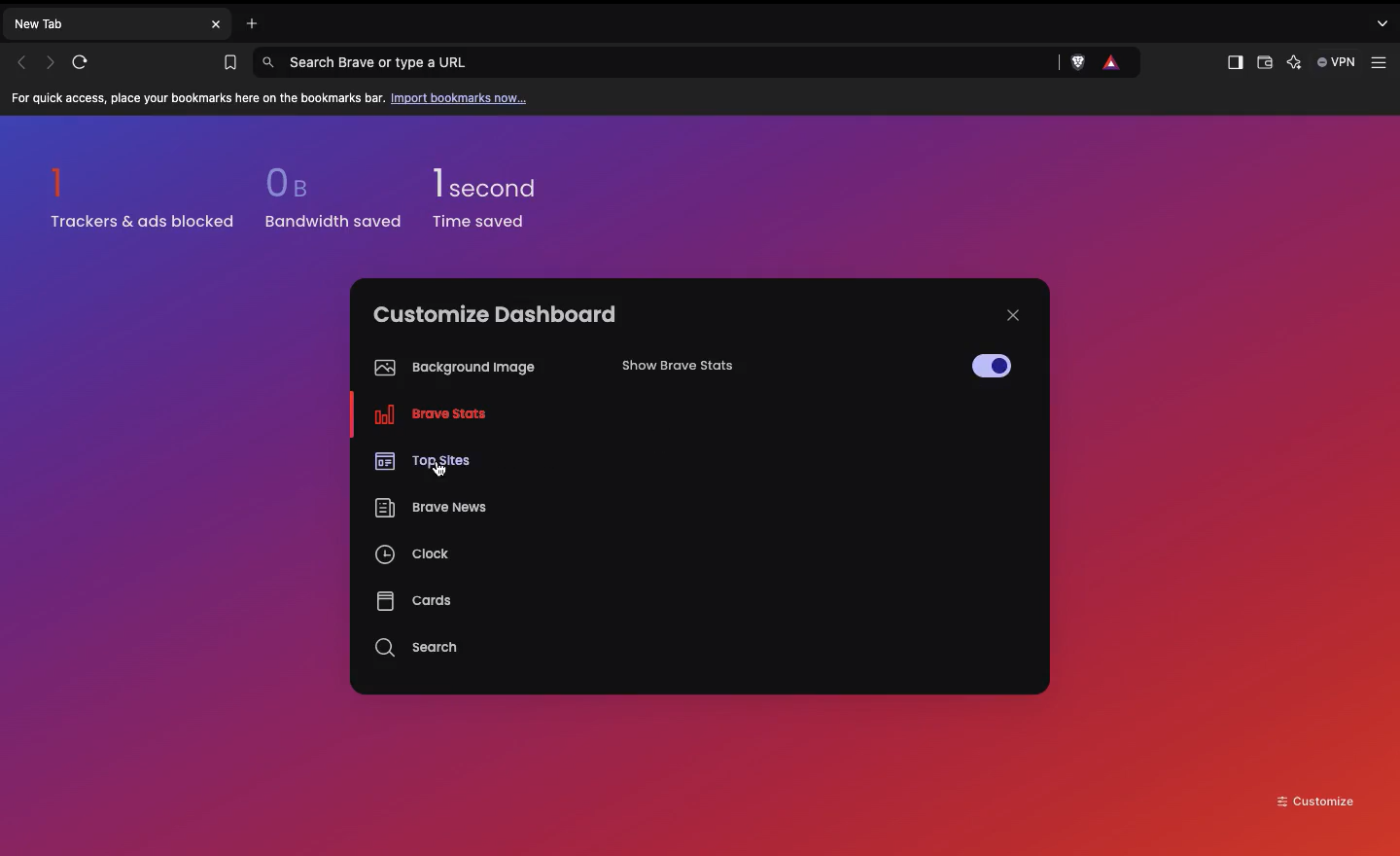  I want to click on 1 trackers & ads blocked, so click(143, 197).